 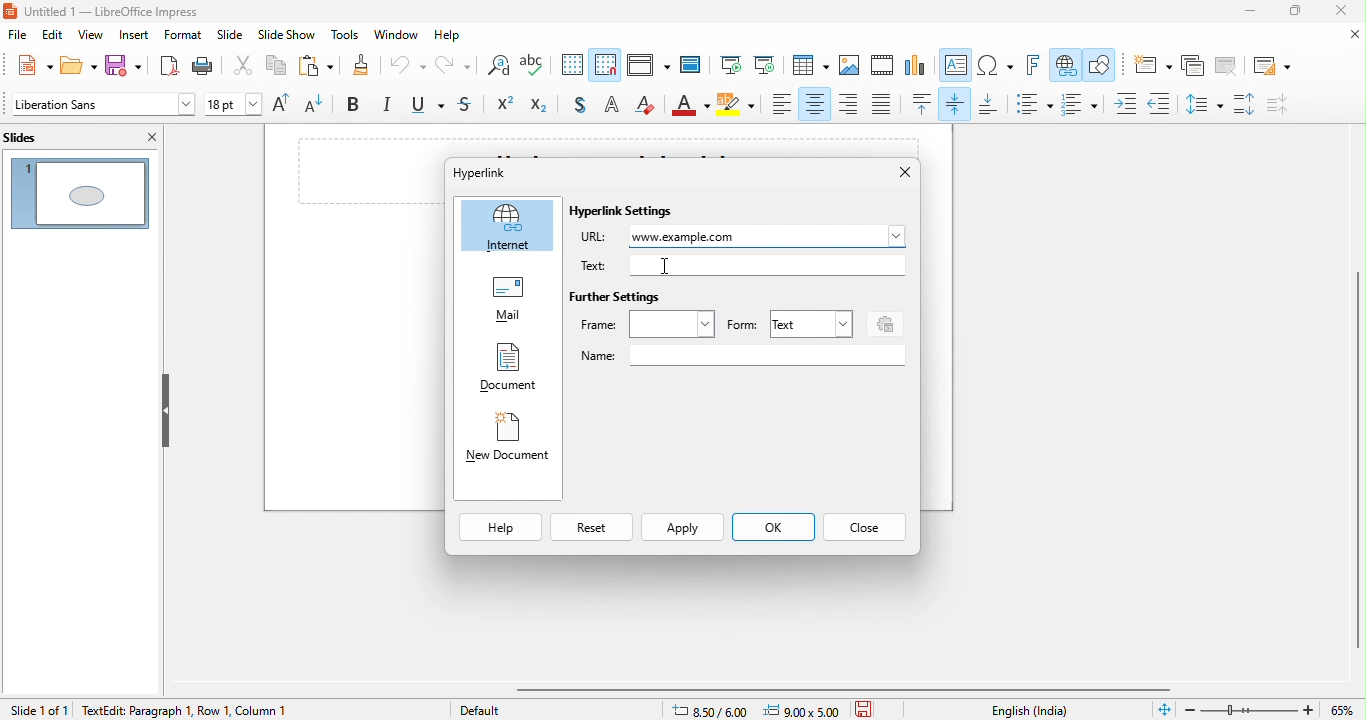 I want to click on find and replace, so click(x=496, y=68).